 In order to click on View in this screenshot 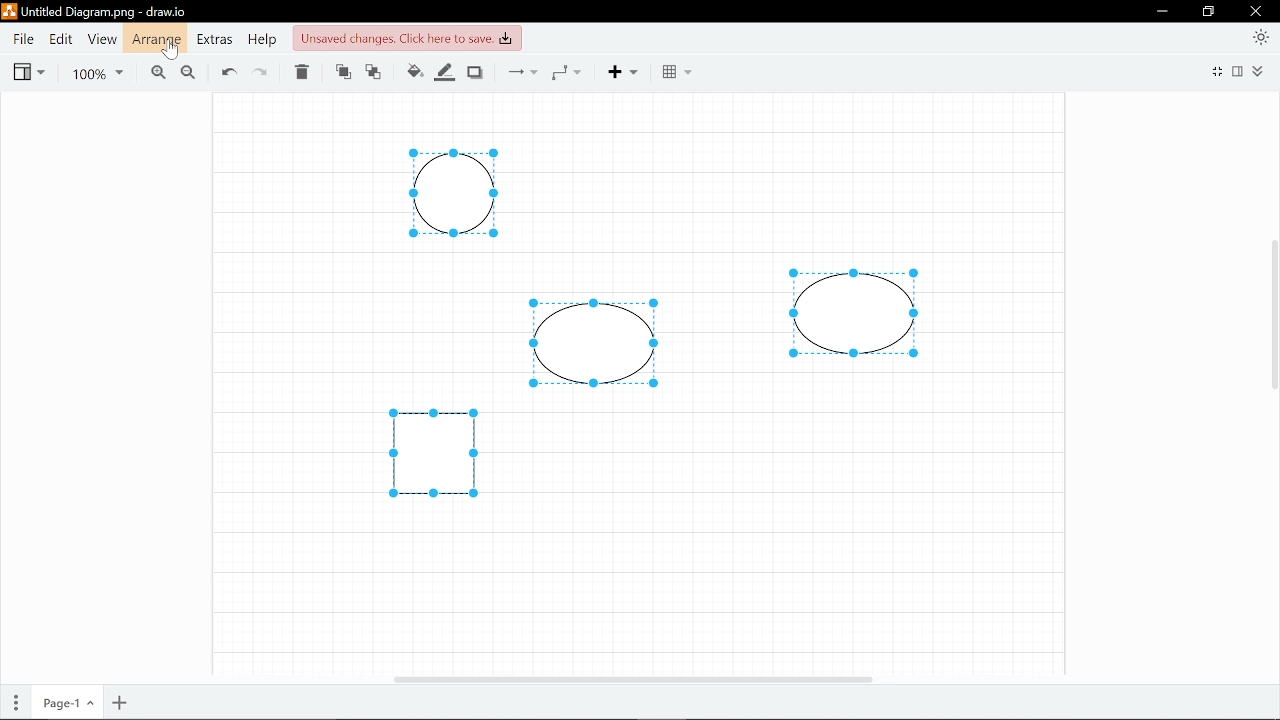, I will do `click(28, 70)`.